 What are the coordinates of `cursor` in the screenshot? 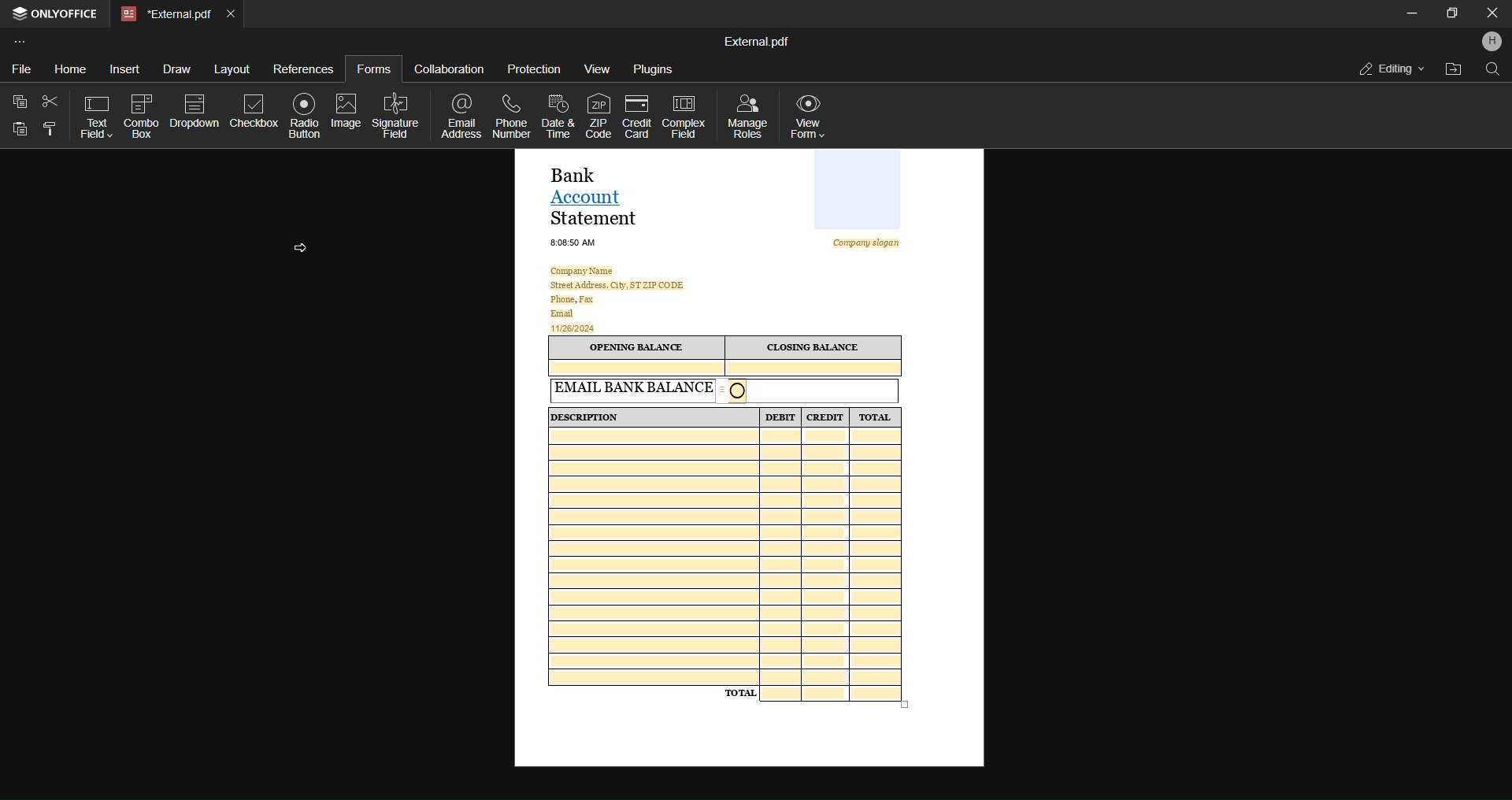 It's located at (298, 245).